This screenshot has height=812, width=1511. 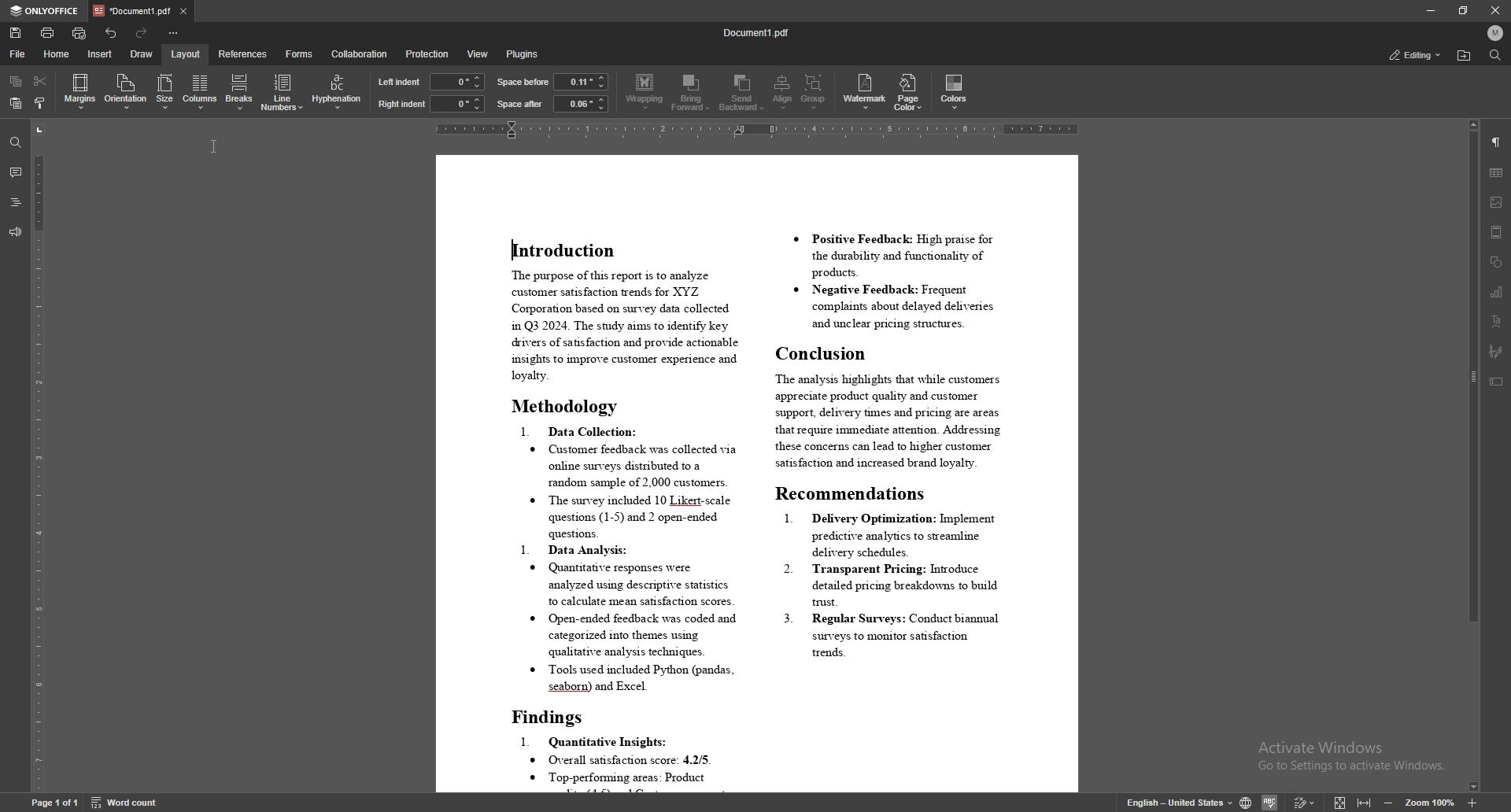 What do you see at coordinates (16, 203) in the screenshot?
I see `heading` at bounding box center [16, 203].